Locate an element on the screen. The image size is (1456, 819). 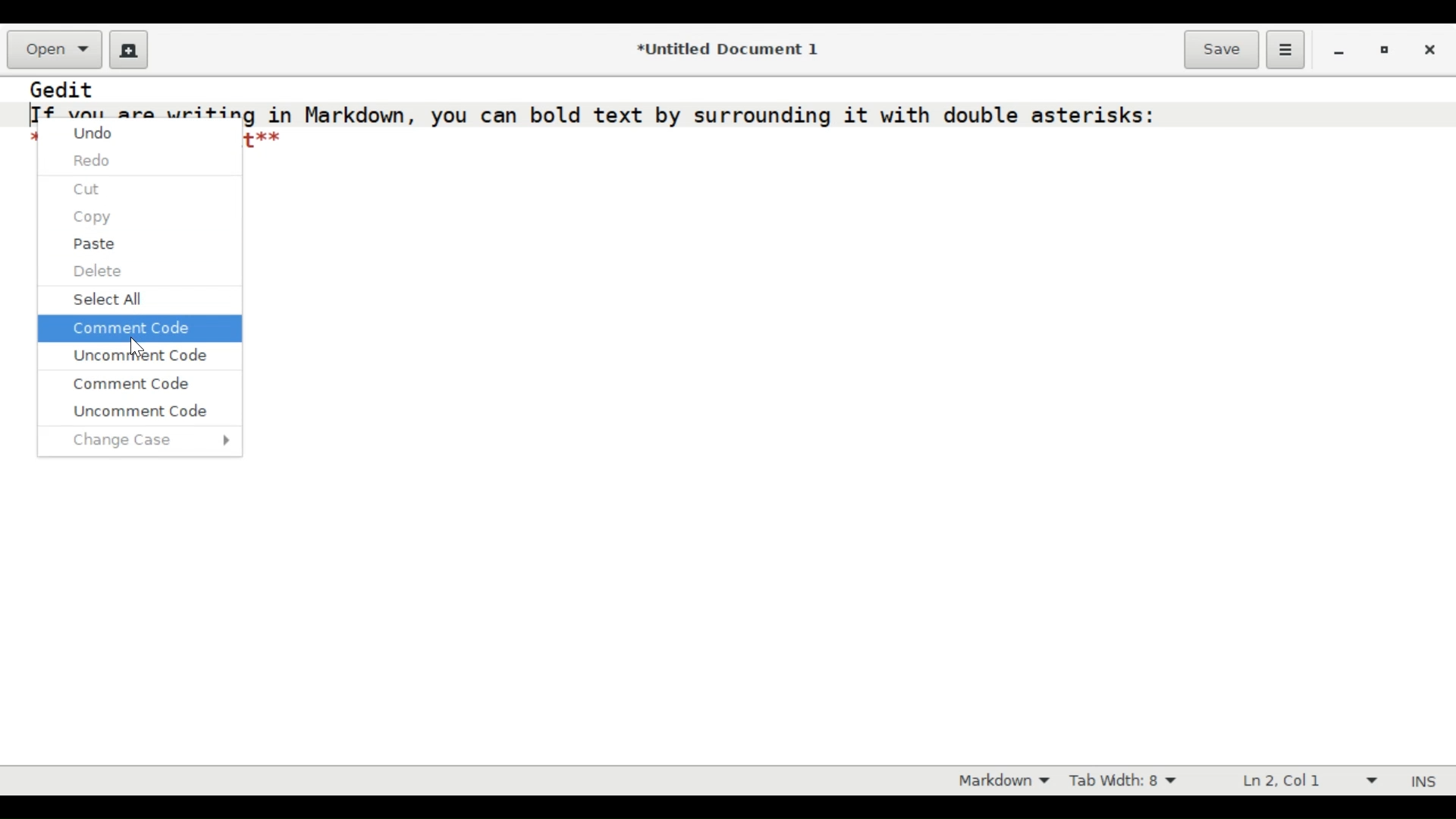
INS is located at coordinates (1426, 781).